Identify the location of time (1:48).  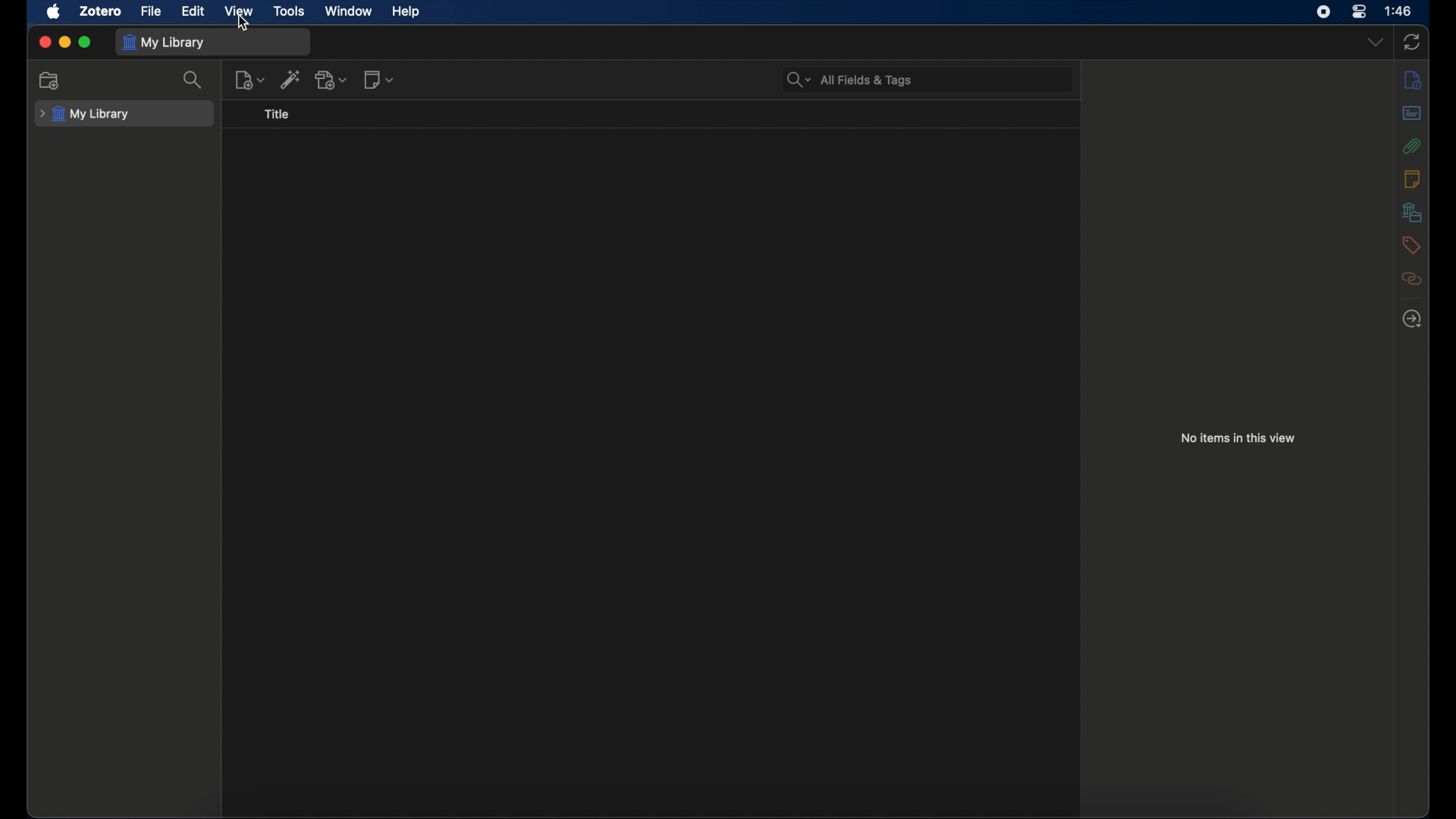
(1398, 10).